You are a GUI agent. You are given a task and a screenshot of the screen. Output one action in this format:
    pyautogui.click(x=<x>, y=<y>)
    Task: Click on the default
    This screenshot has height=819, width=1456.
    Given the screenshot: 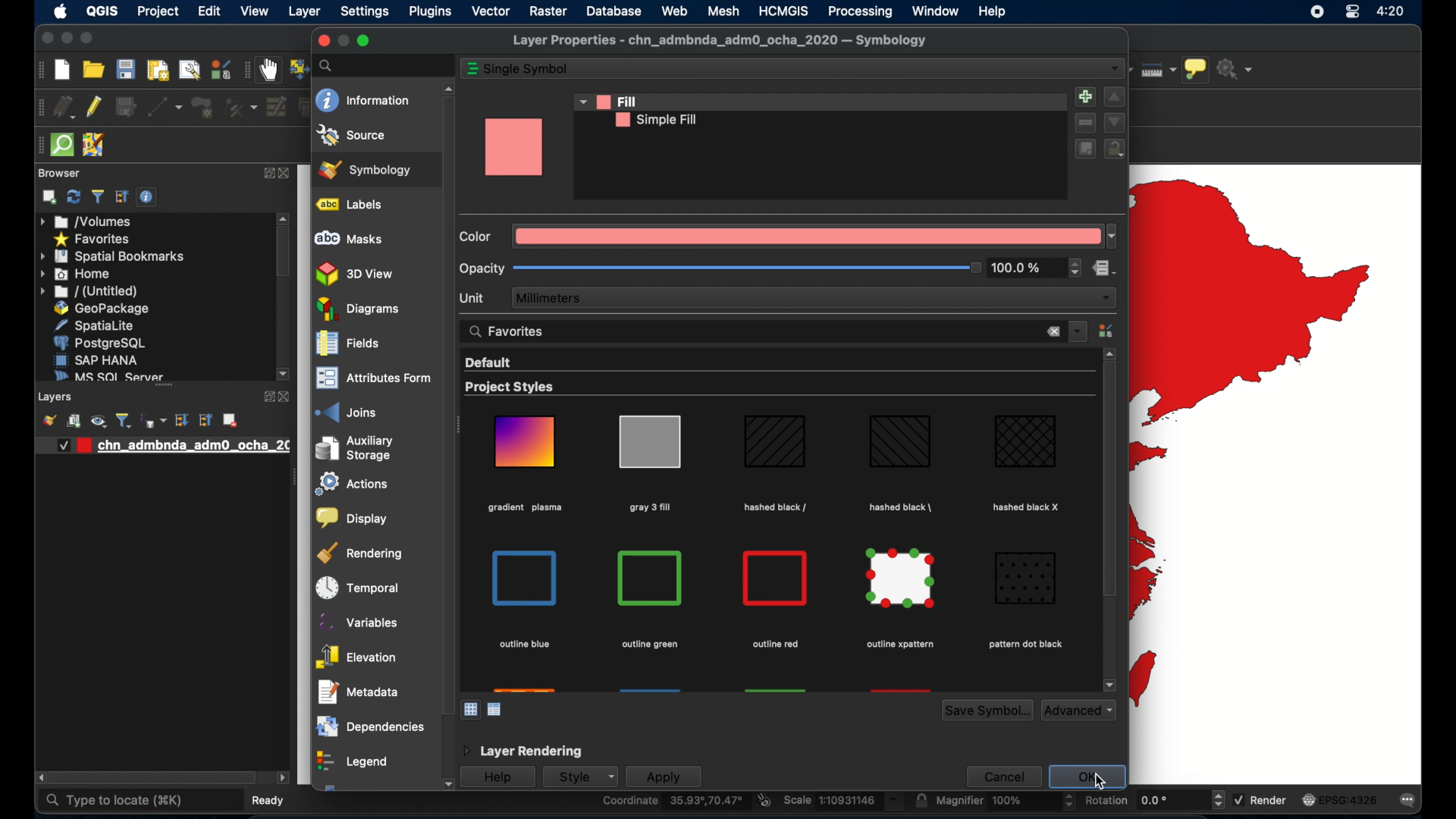 What is the action you would take?
    pyautogui.click(x=487, y=362)
    